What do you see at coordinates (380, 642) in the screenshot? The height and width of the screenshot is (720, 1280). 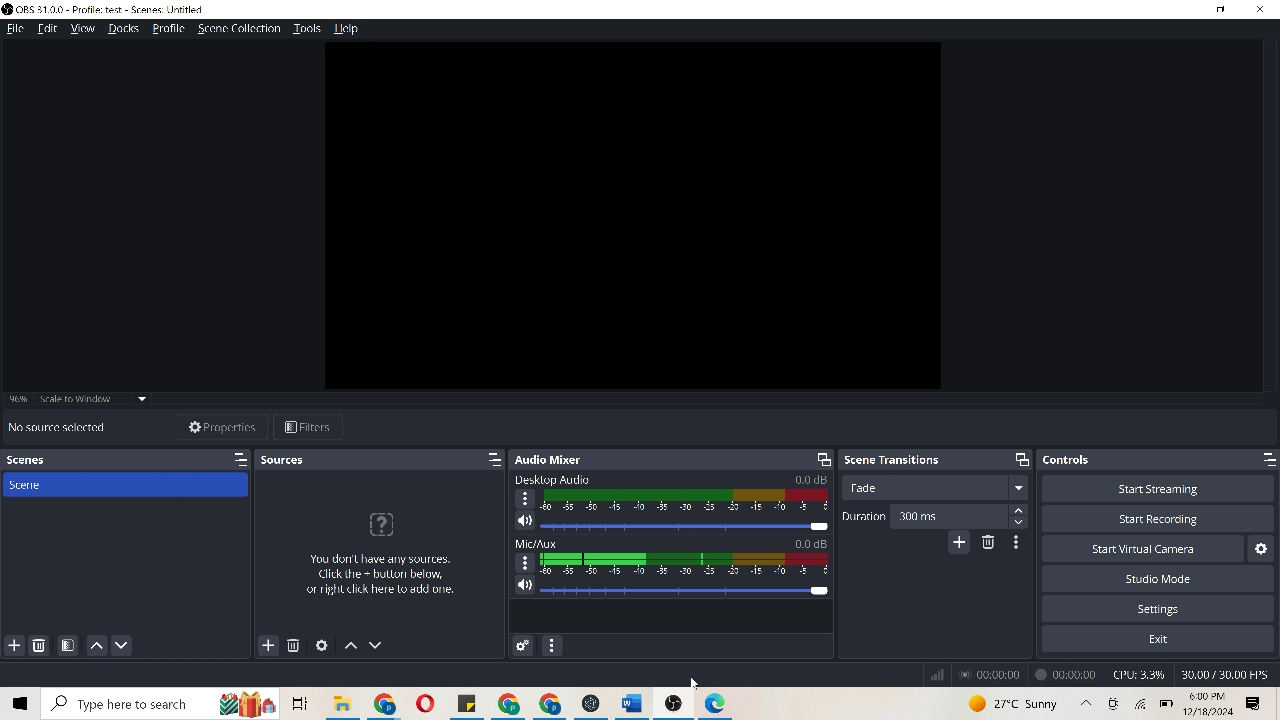 I see `move sources down` at bounding box center [380, 642].